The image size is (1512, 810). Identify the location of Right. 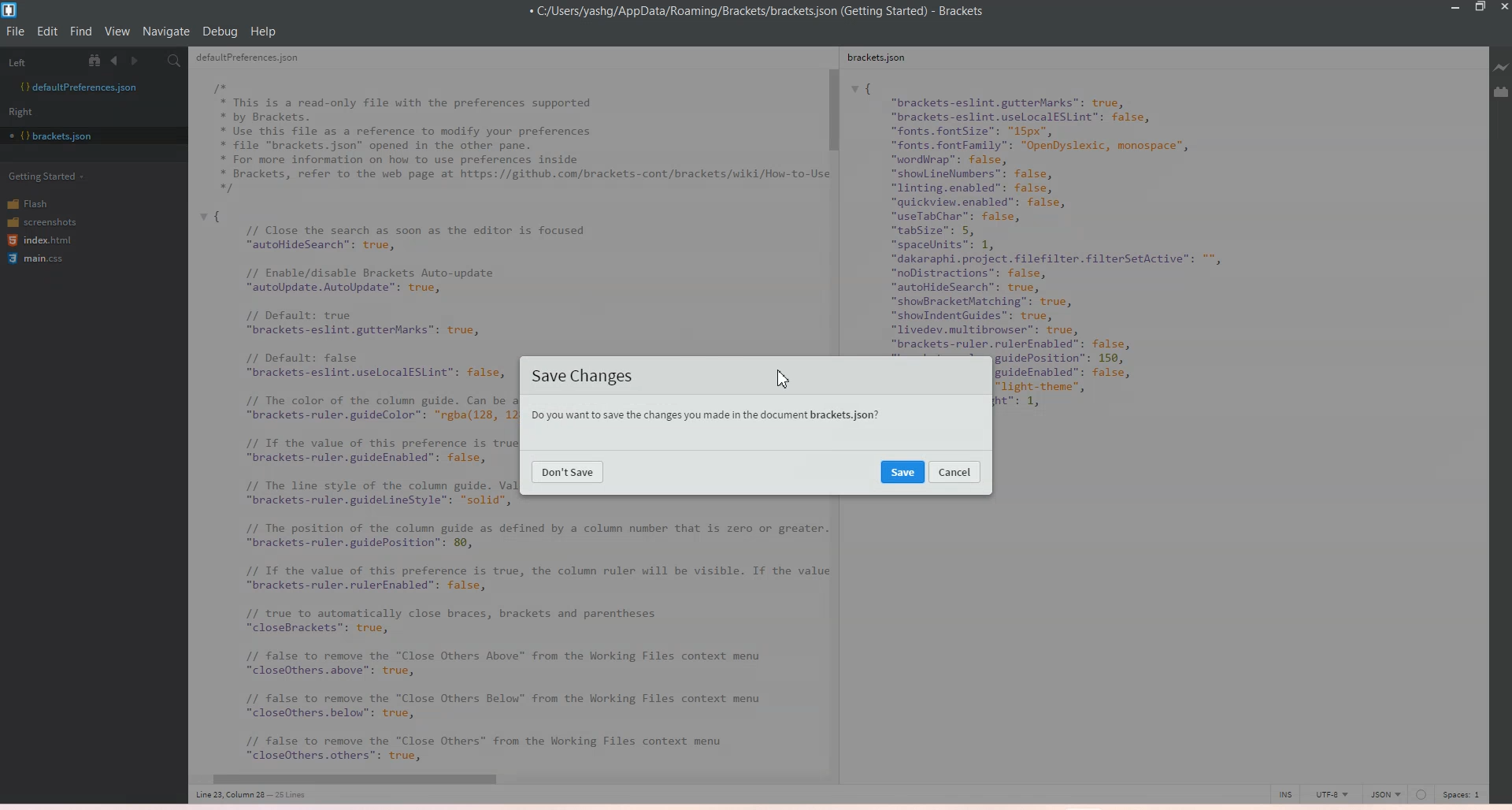
(26, 111).